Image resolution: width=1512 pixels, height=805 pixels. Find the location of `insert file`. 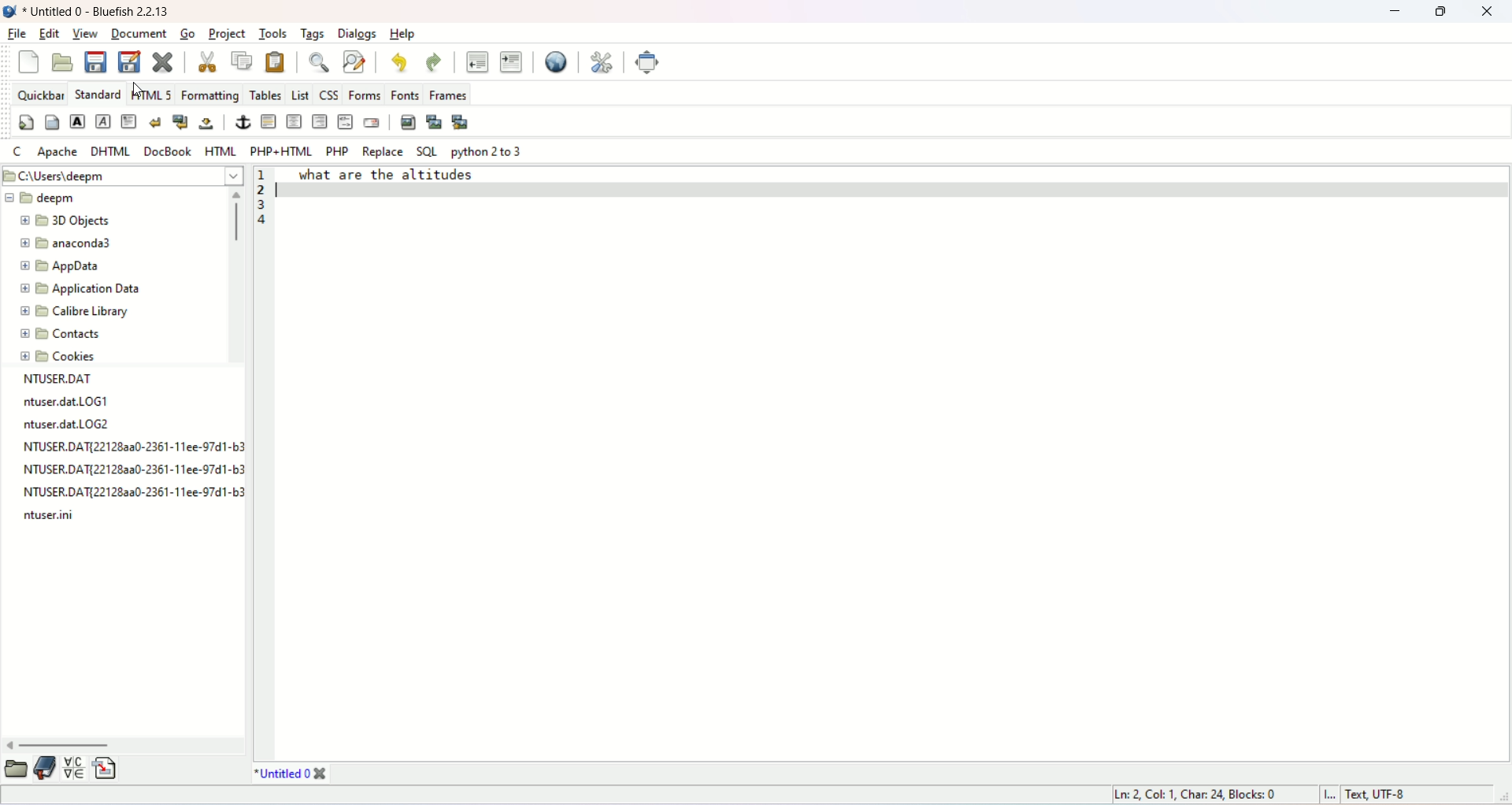

insert file is located at coordinates (107, 767).